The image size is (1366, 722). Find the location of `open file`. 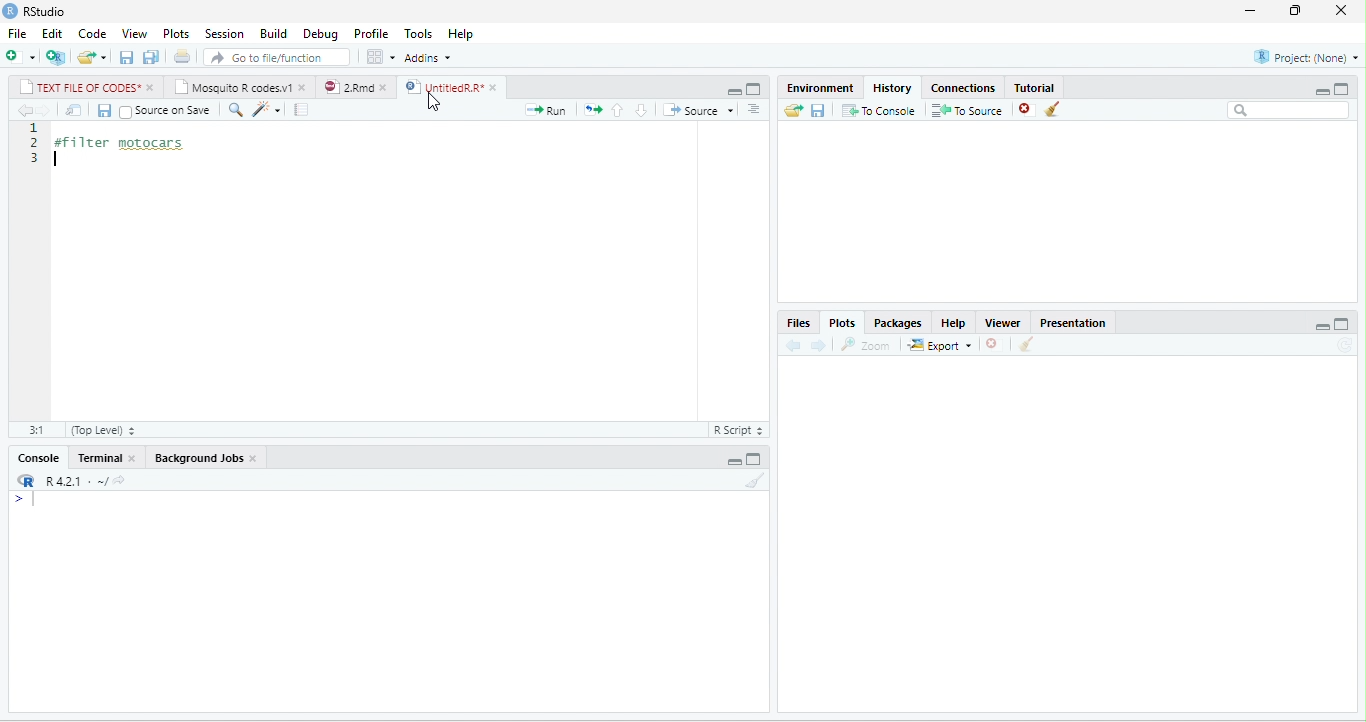

open file is located at coordinates (92, 58).